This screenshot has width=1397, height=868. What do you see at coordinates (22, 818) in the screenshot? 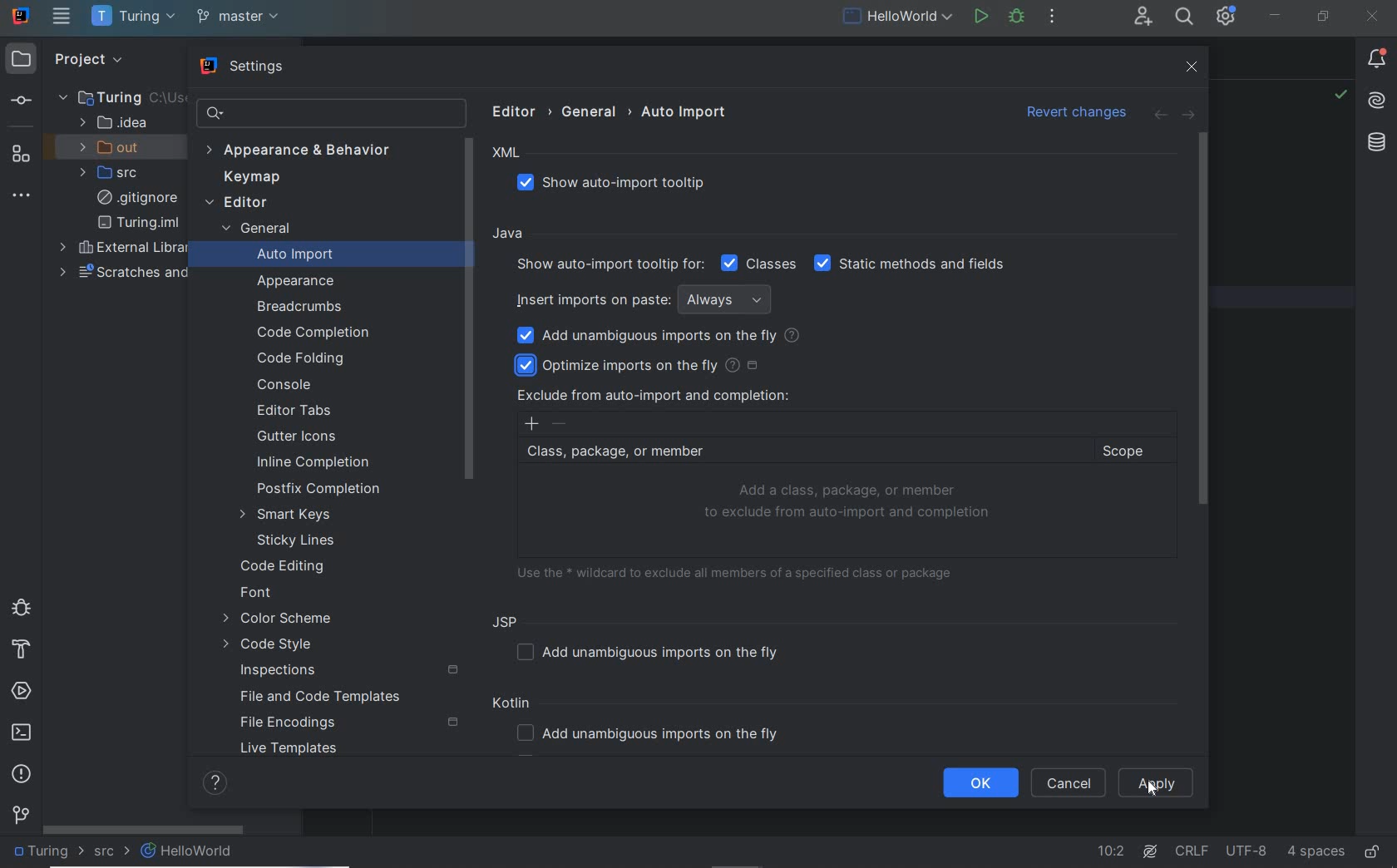
I see `Git` at bounding box center [22, 818].